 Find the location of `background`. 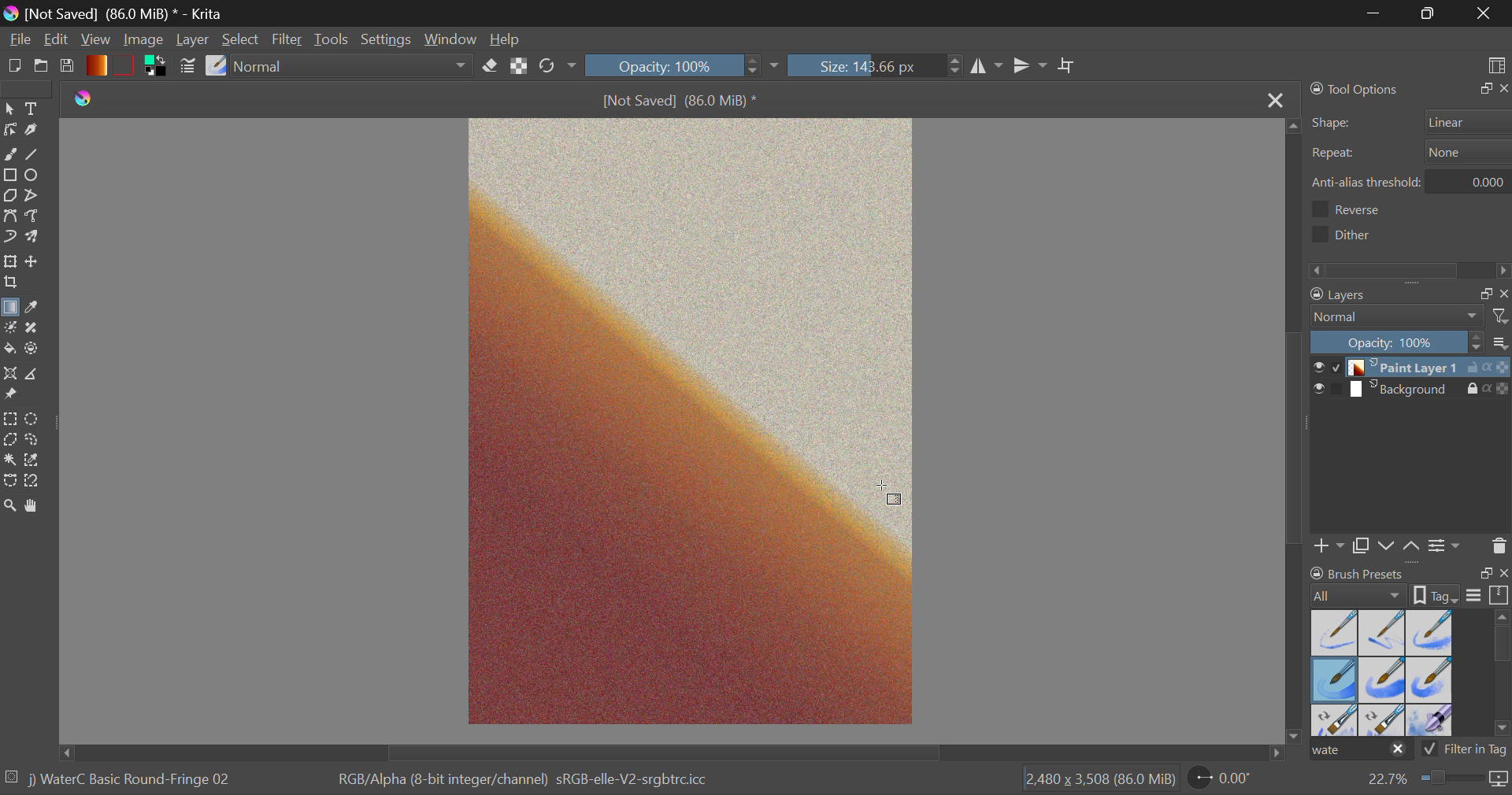

background is located at coordinates (1407, 390).